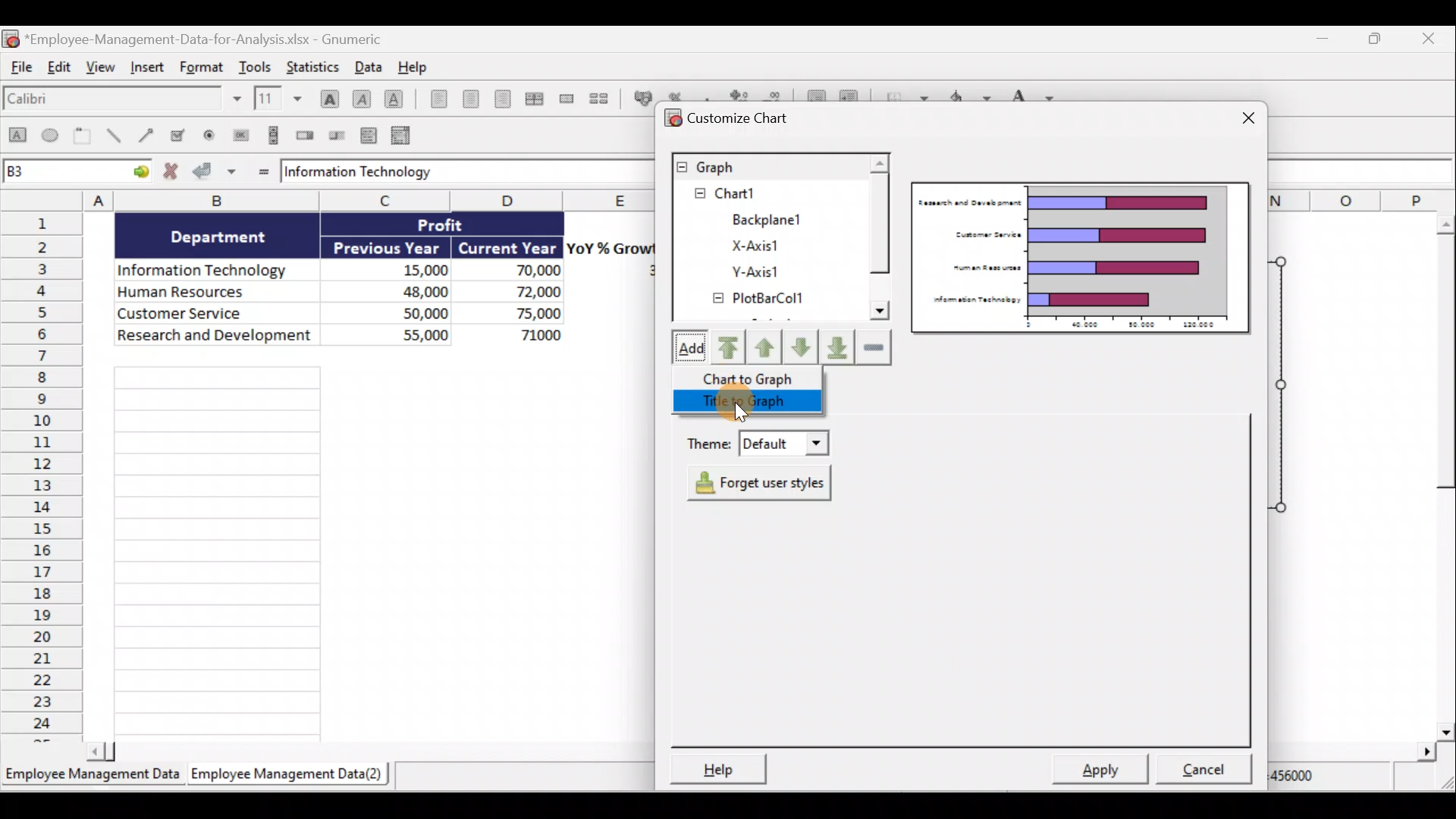 The width and height of the screenshot is (1456, 819). Describe the element at coordinates (1438, 38) in the screenshot. I see `Close` at that location.